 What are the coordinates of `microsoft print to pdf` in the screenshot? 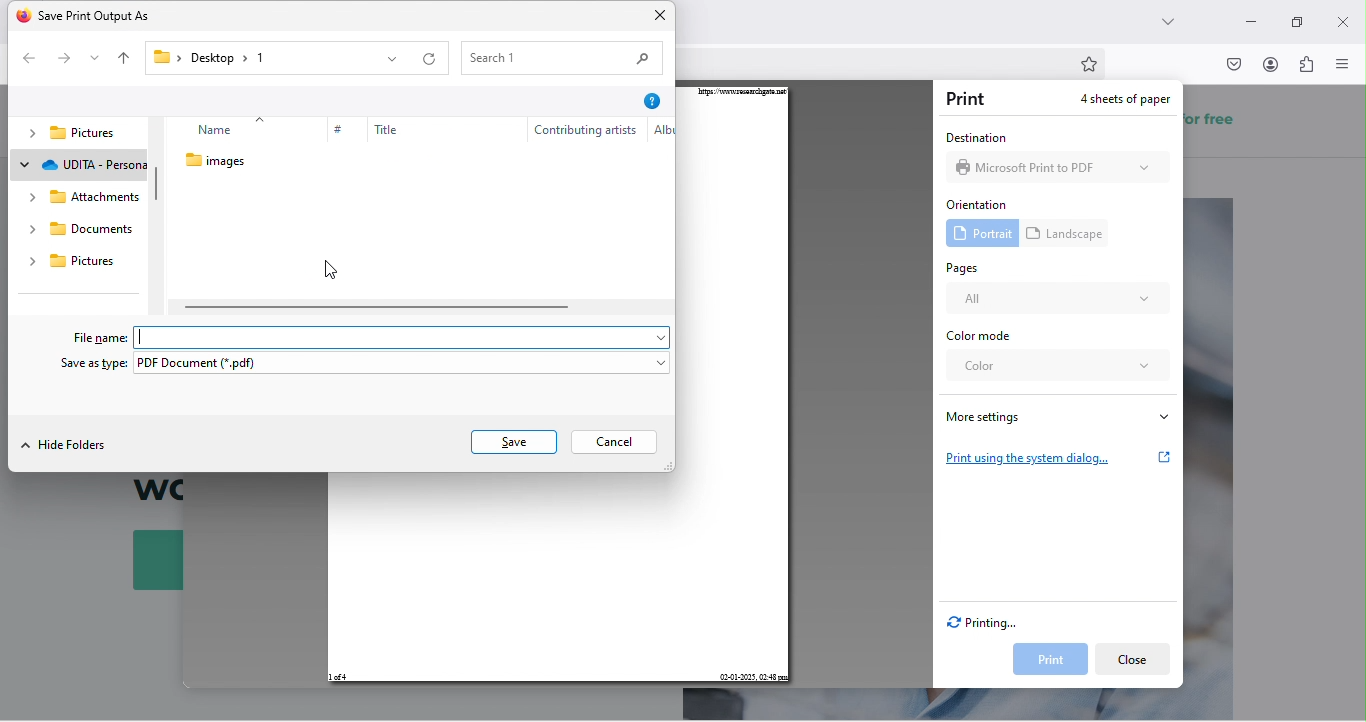 It's located at (1958, 318).